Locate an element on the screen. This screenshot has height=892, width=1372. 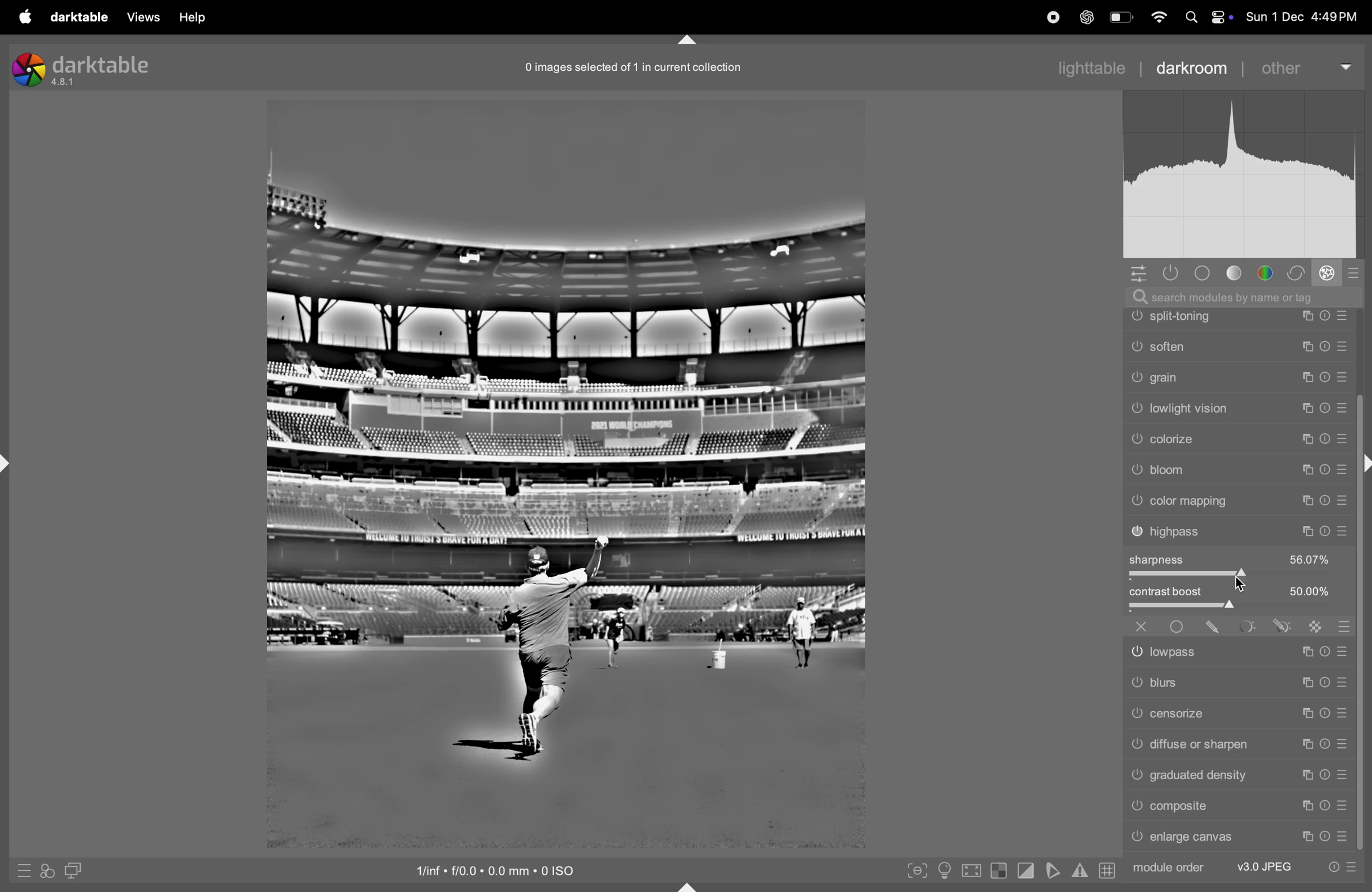
v3 jpeg is located at coordinates (1262, 865).